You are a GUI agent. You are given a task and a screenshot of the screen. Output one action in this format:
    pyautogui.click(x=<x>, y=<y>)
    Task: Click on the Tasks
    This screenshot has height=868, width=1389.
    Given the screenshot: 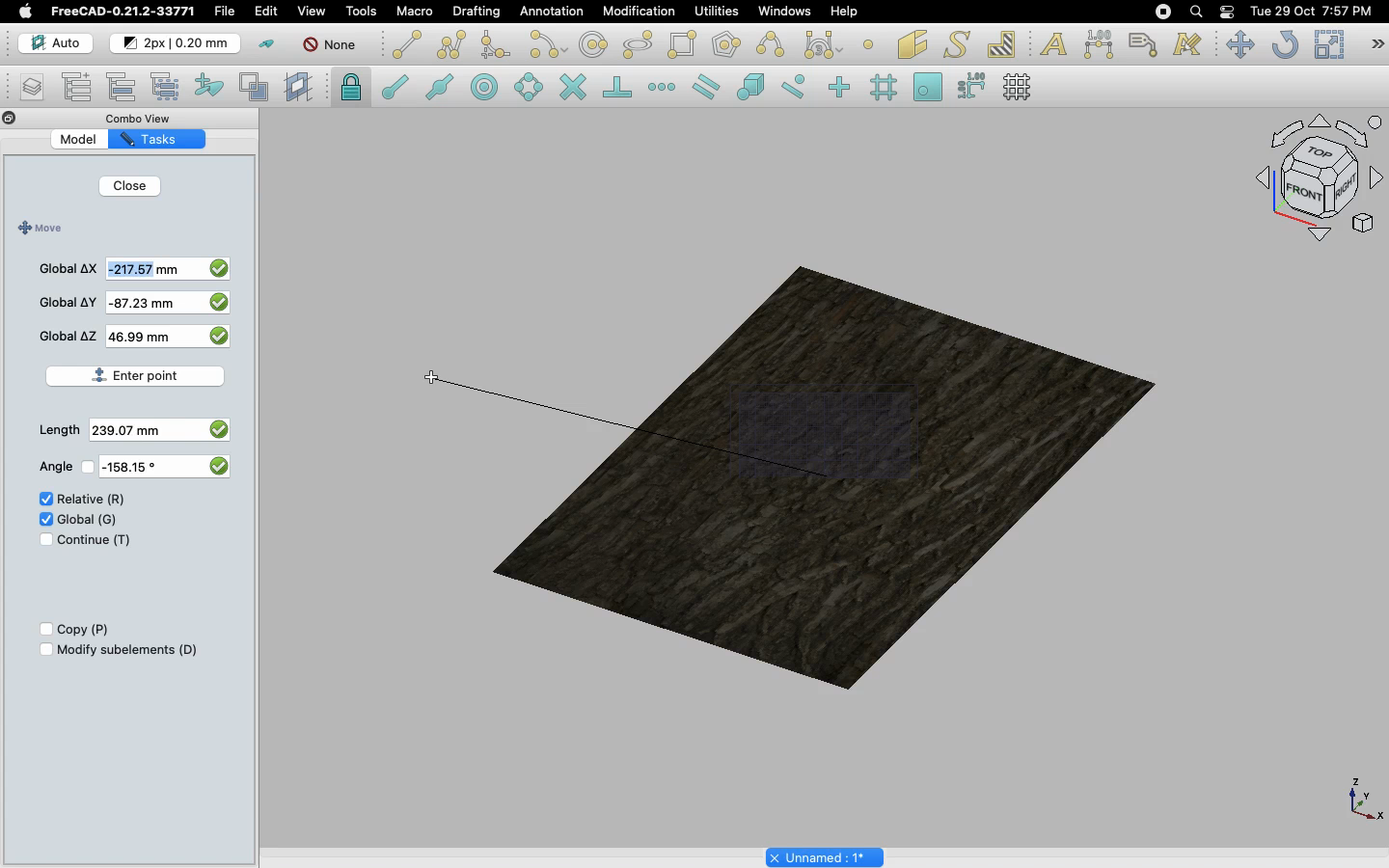 What is the action you would take?
    pyautogui.click(x=168, y=138)
    